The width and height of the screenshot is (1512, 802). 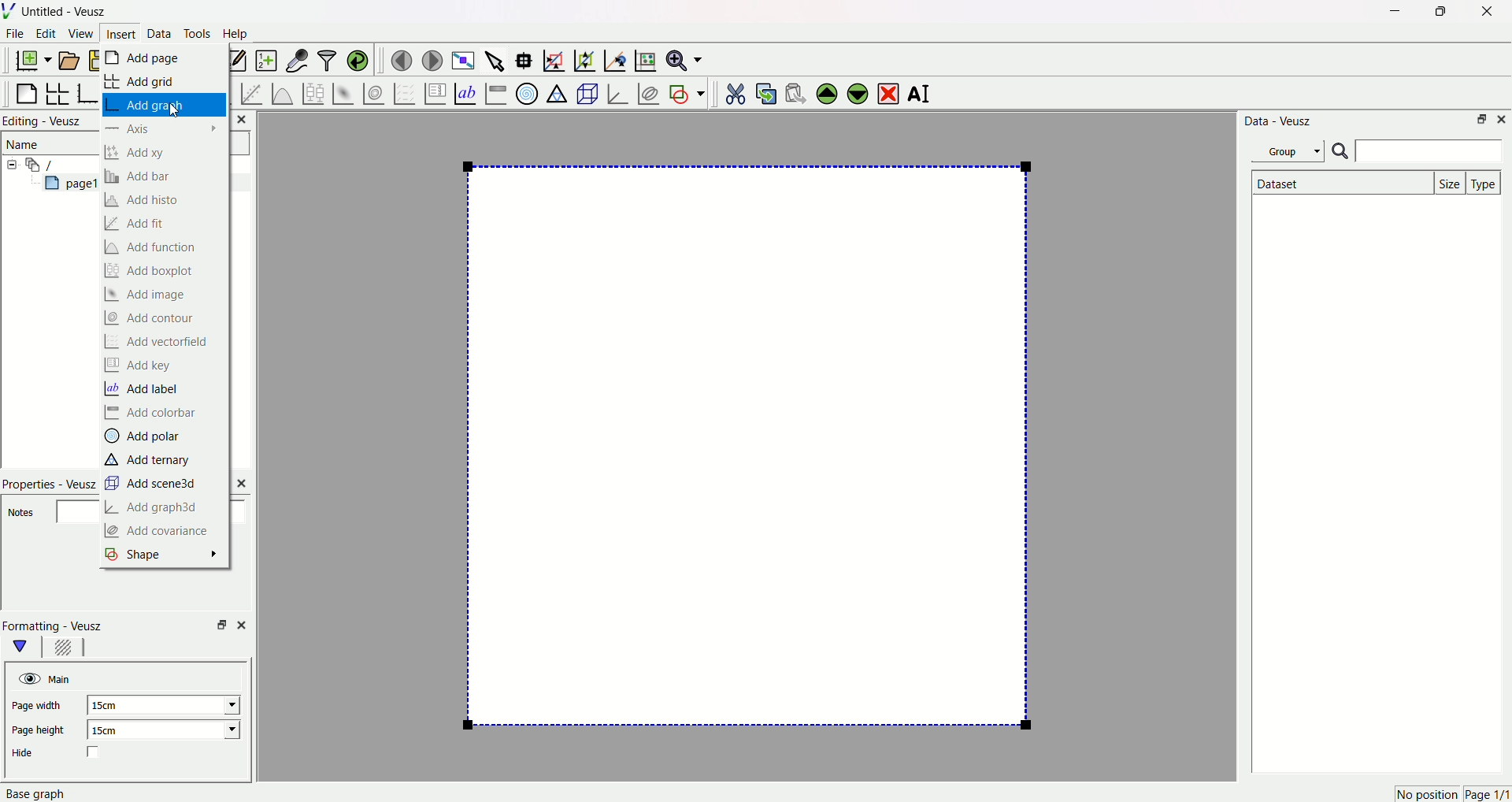 What do you see at coordinates (796, 91) in the screenshot?
I see `paste the widgets` at bounding box center [796, 91].